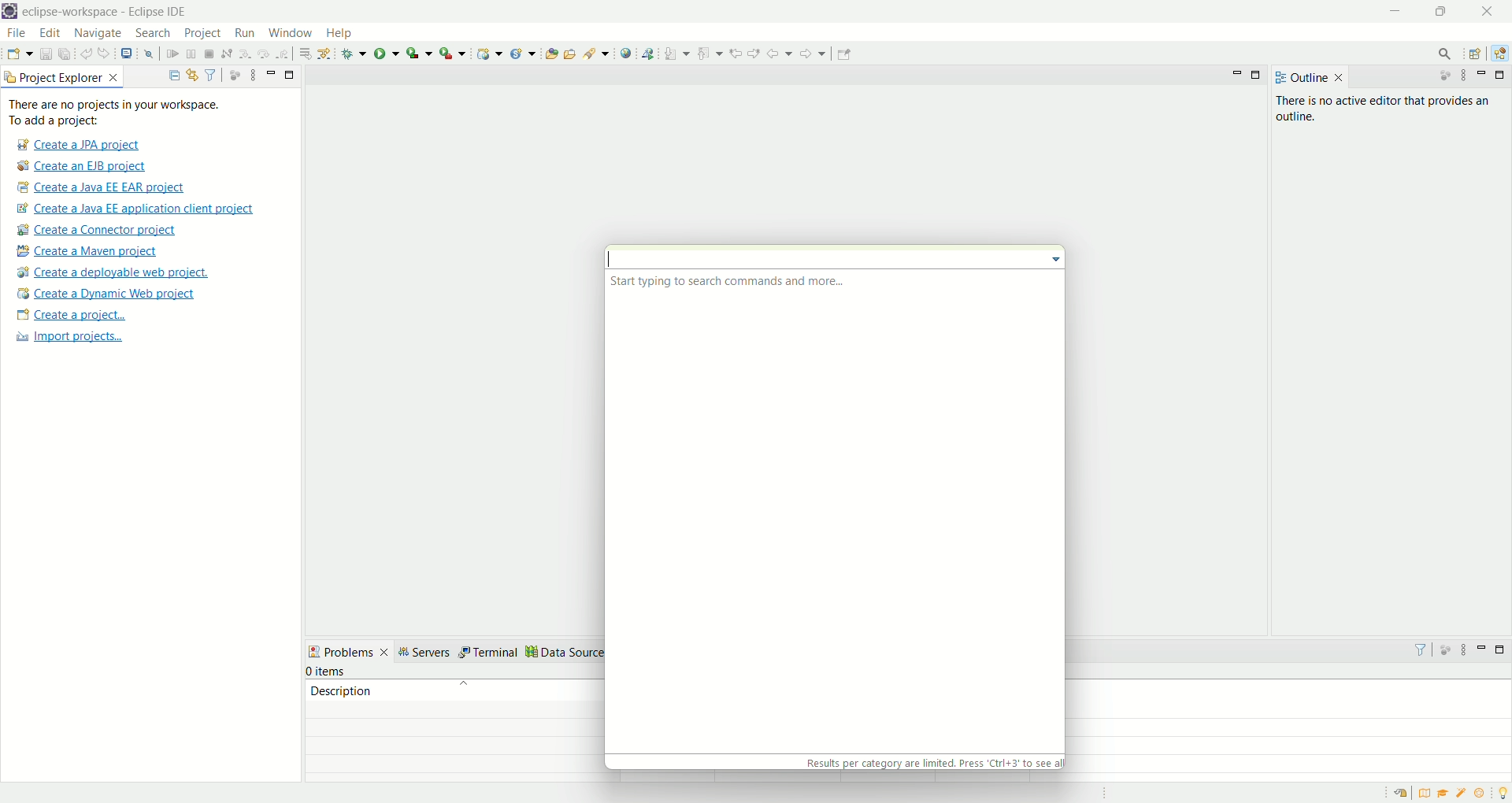  I want to click on skip all breakpoints, so click(148, 55).